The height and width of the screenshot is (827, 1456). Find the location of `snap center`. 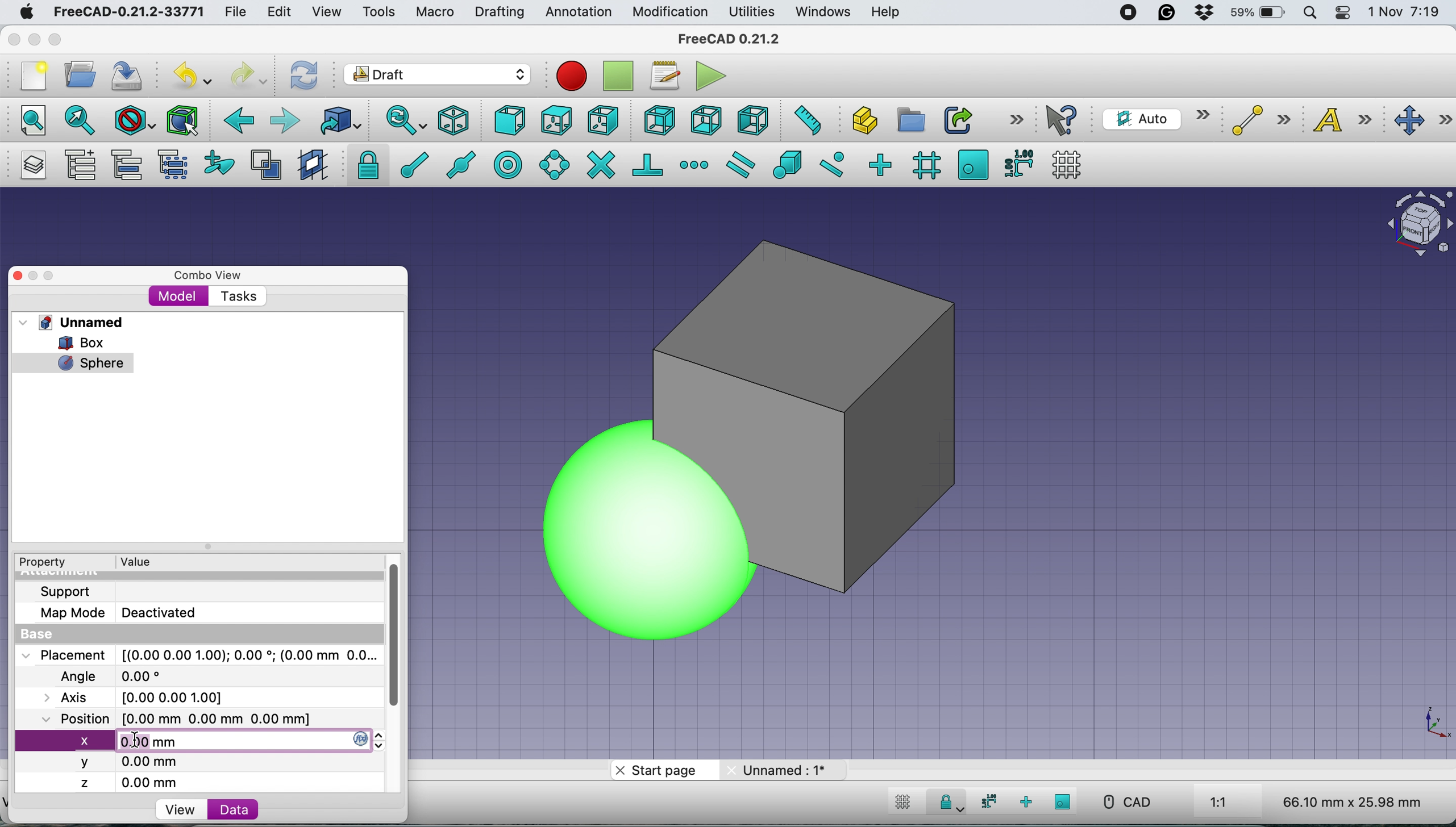

snap center is located at coordinates (509, 164).